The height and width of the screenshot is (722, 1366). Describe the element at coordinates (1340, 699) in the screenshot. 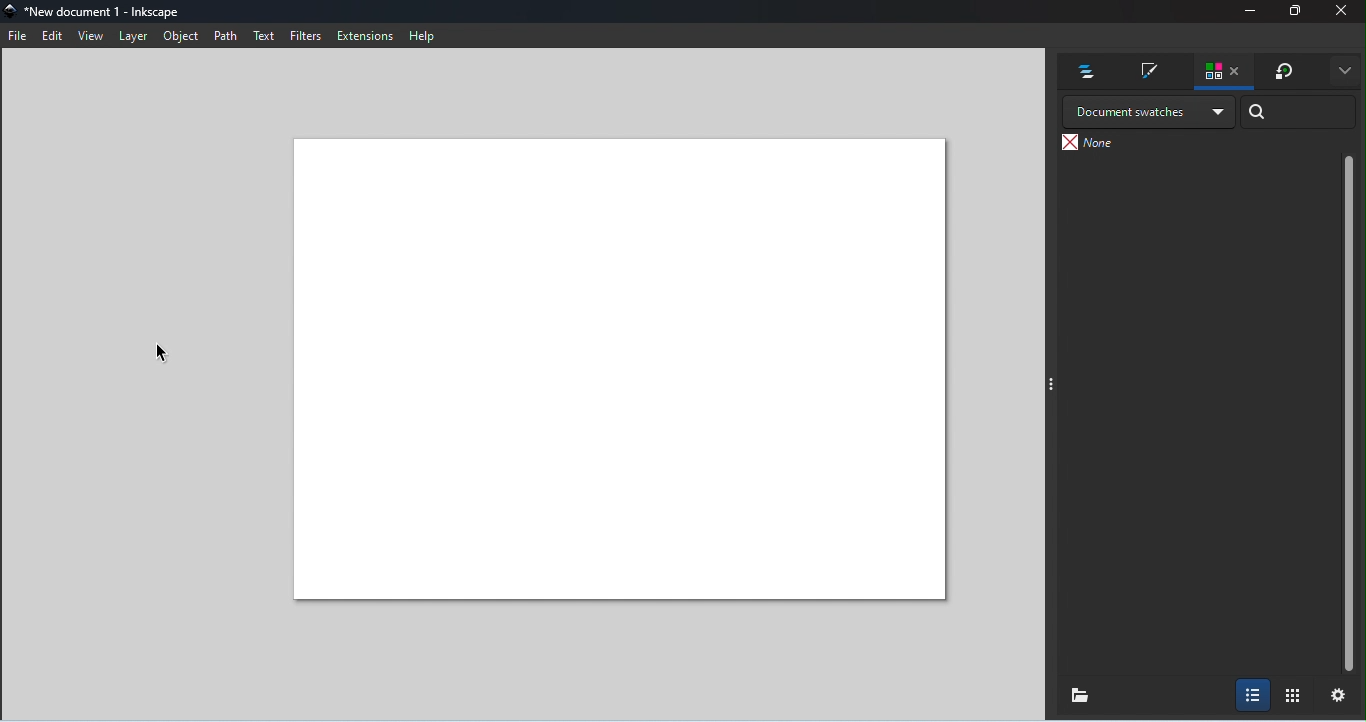

I see `Settings` at that location.